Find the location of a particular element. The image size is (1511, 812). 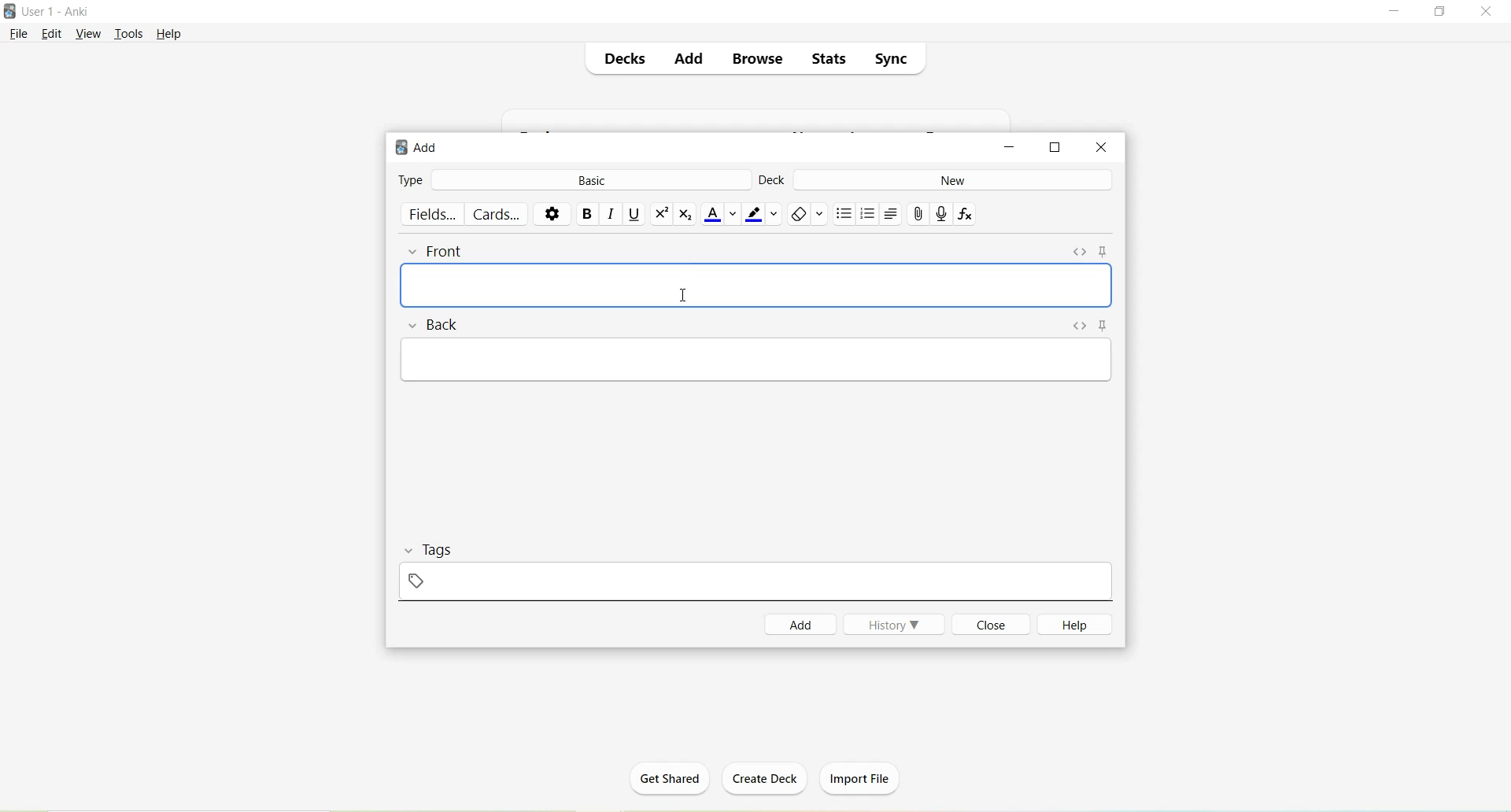

Toggle sticky is located at coordinates (1106, 252).